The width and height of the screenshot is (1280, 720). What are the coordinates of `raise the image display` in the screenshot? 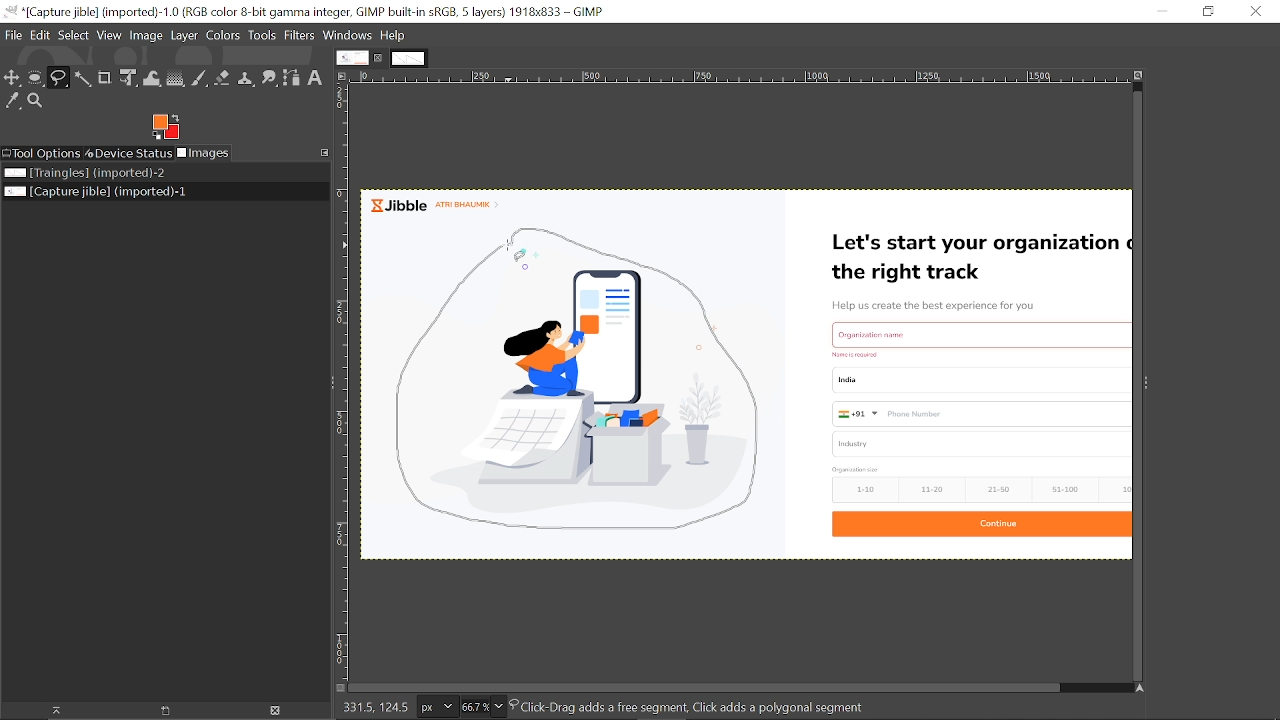 It's located at (51, 710).